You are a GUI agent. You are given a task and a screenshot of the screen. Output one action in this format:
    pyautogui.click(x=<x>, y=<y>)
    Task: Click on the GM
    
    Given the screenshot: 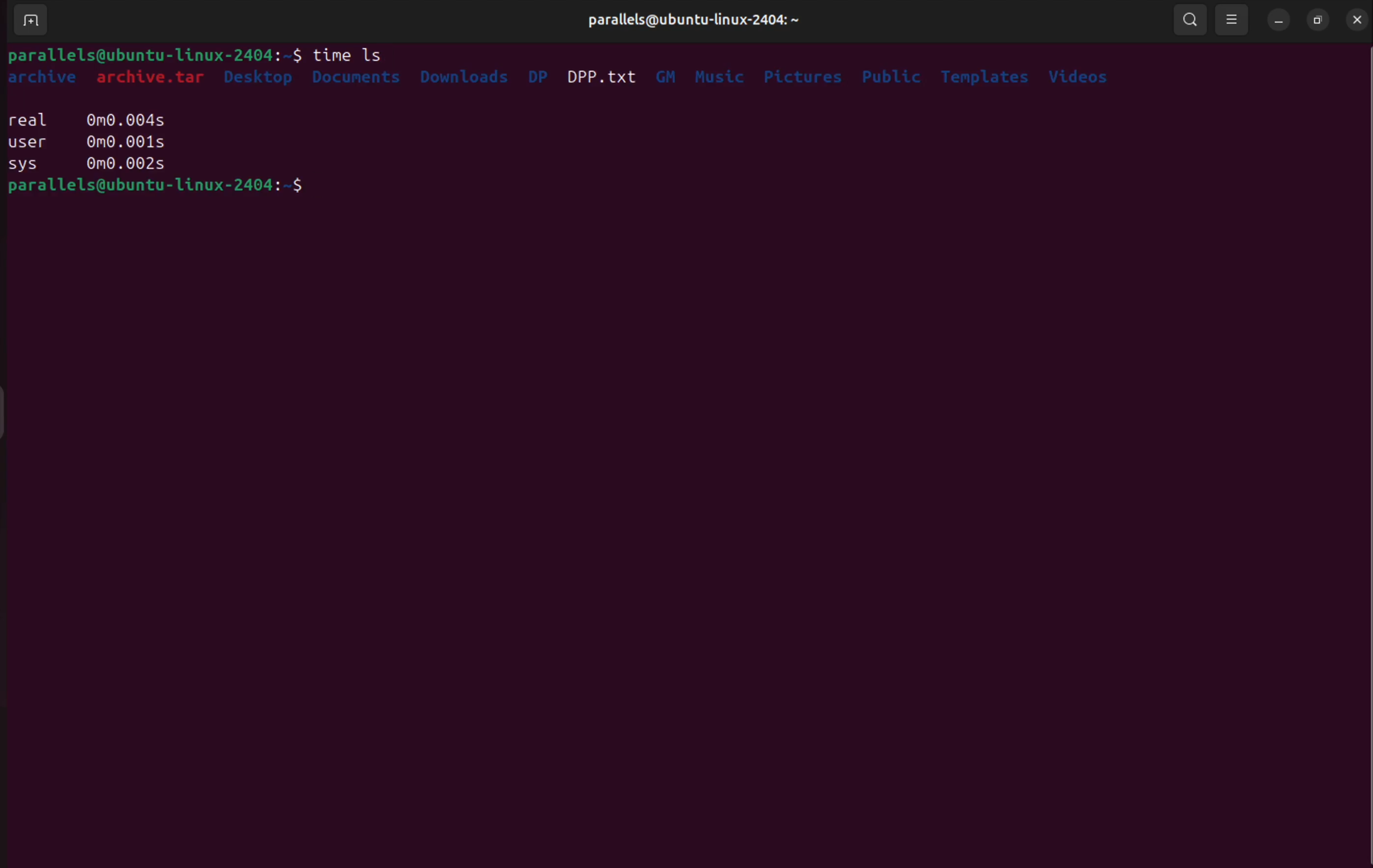 What is the action you would take?
    pyautogui.click(x=668, y=72)
    